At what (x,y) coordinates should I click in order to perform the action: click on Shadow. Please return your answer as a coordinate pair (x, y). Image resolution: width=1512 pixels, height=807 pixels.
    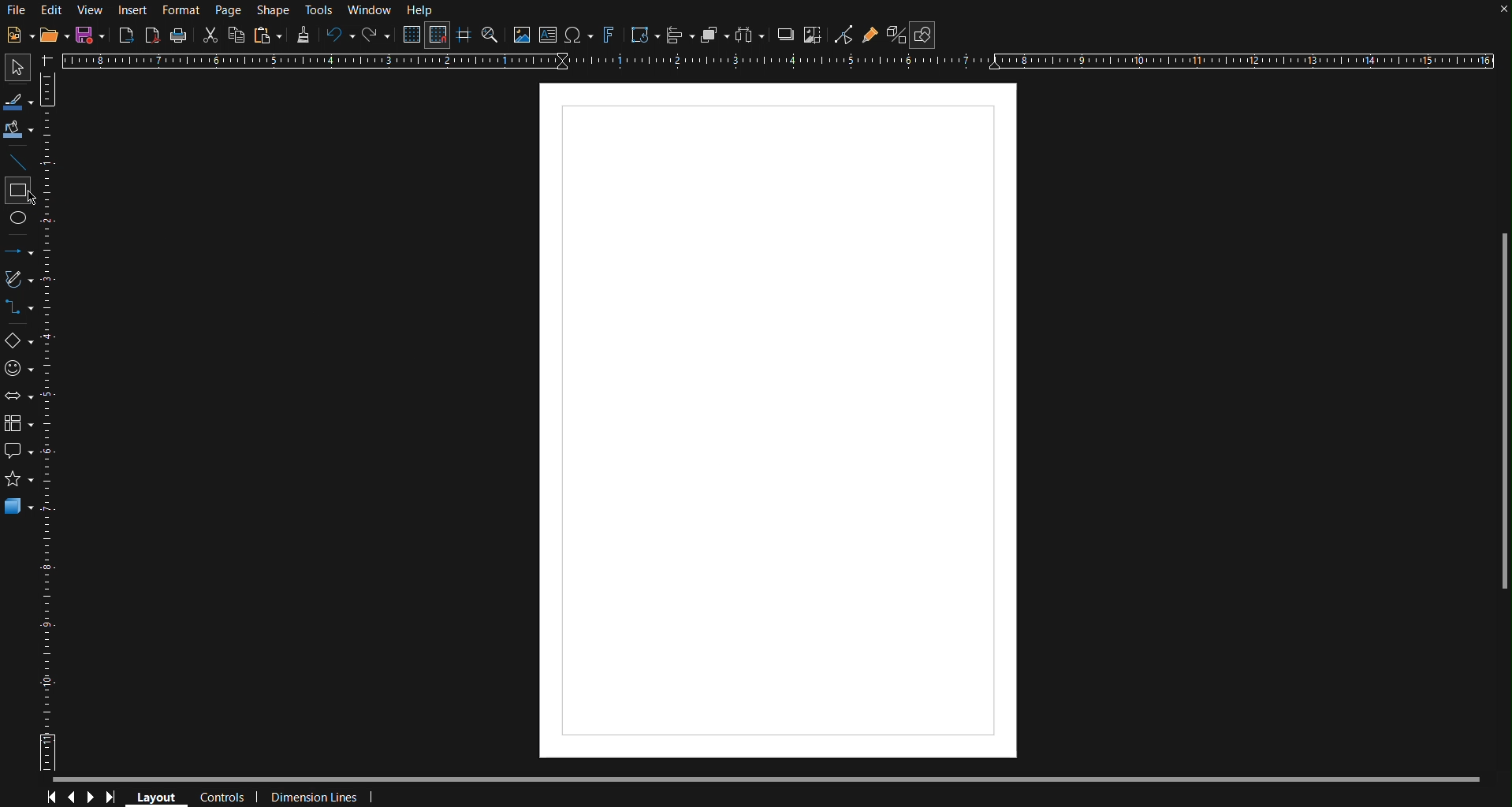
    Looking at the image, I should click on (784, 34).